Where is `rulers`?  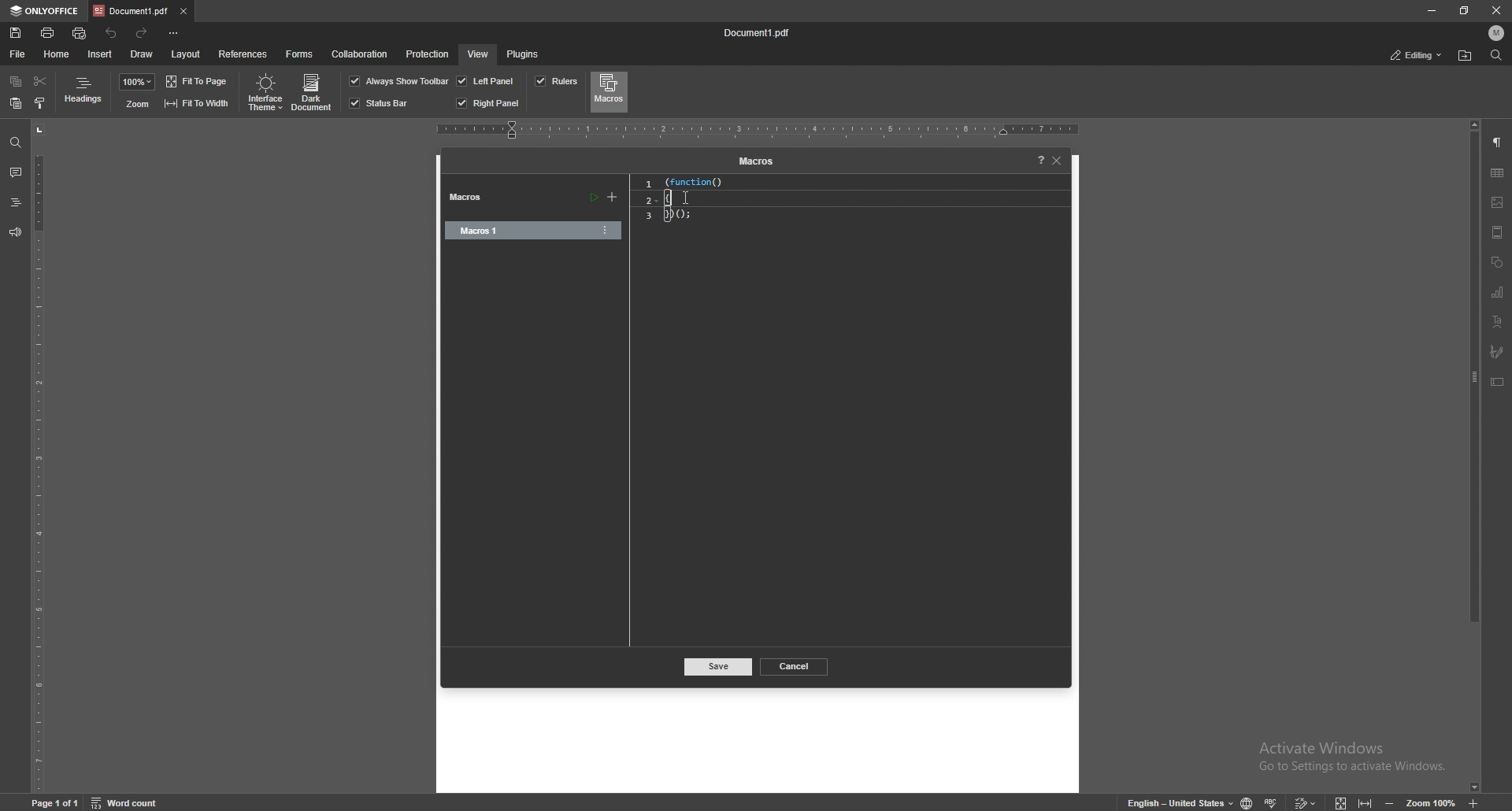
rulers is located at coordinates (556, 81).